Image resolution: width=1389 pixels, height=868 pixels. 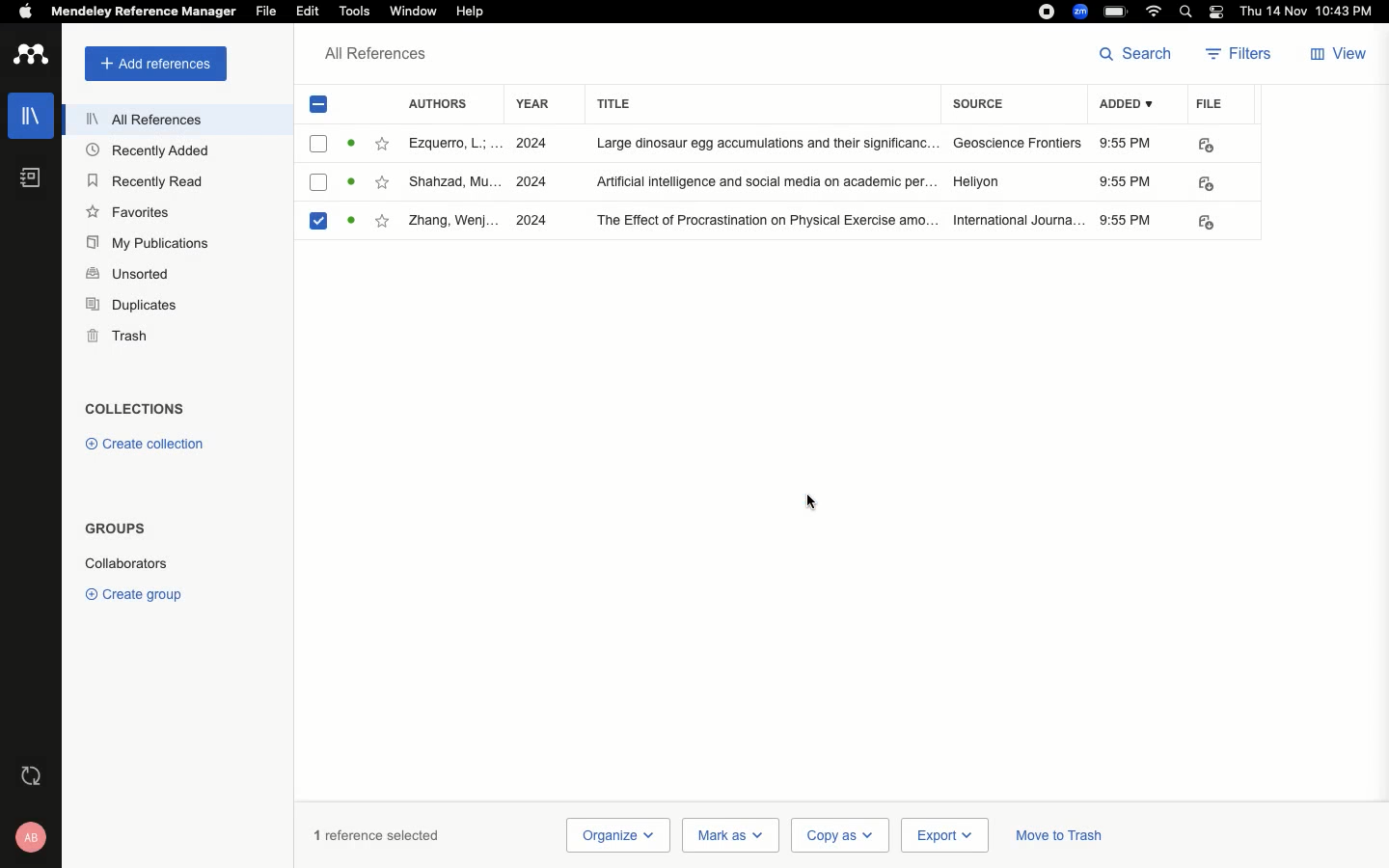 What do you see at coordinates (1219, 12) in the screenshot?
I see `Notification` at bounding box center [1219, 12].